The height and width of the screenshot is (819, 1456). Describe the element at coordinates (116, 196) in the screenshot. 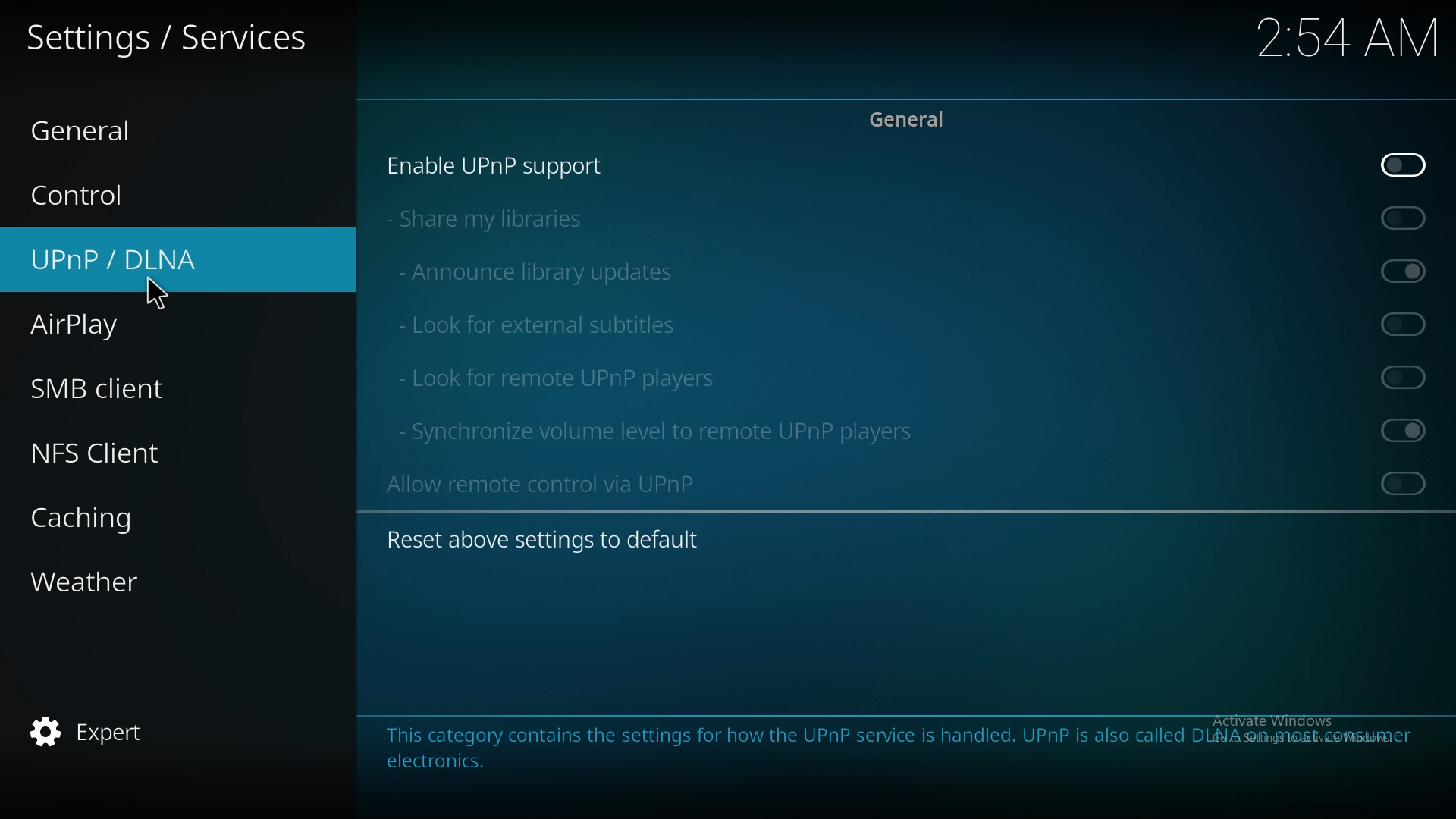

I see `control` at that location.